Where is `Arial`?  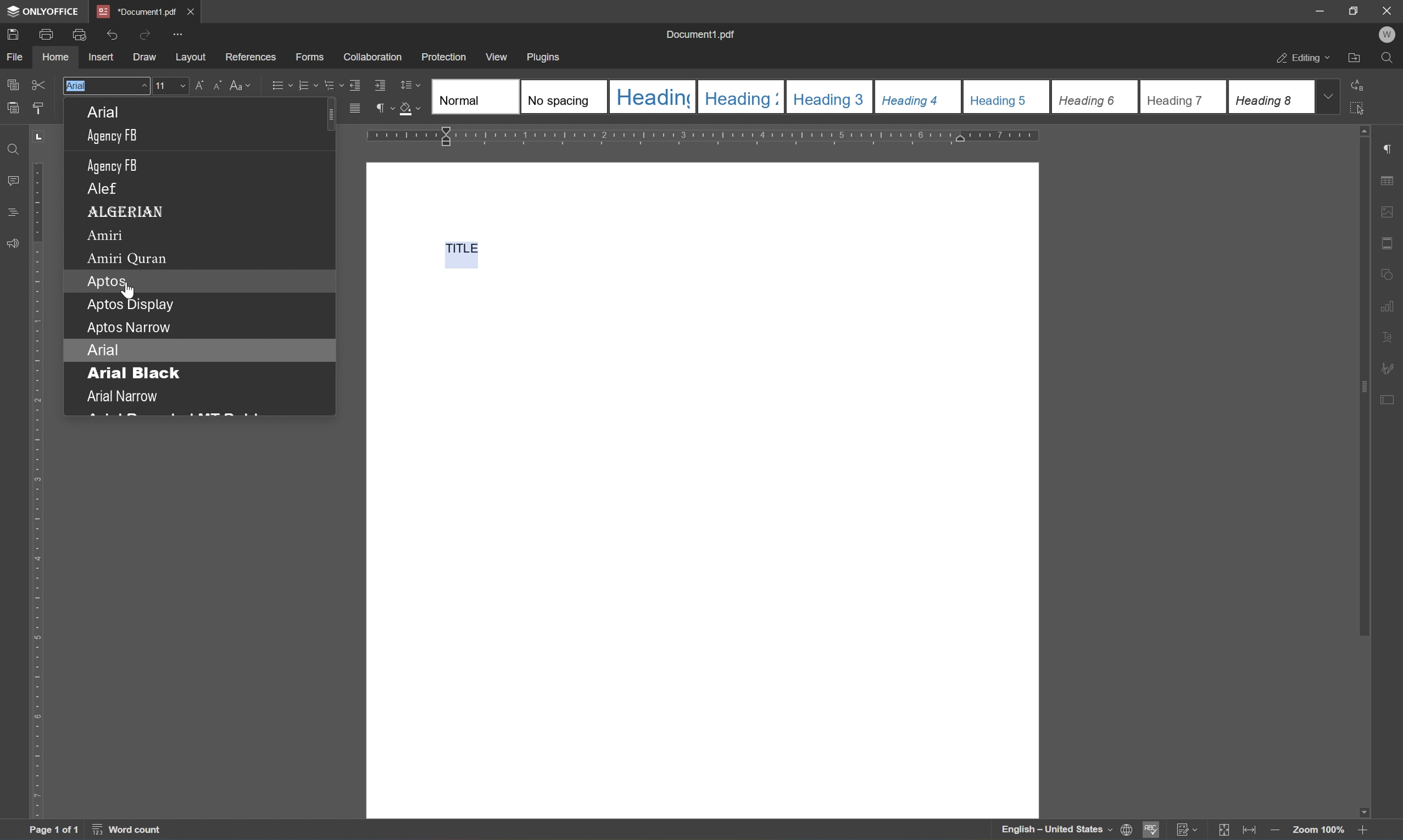 Arial is located at coordinates (102, 84).